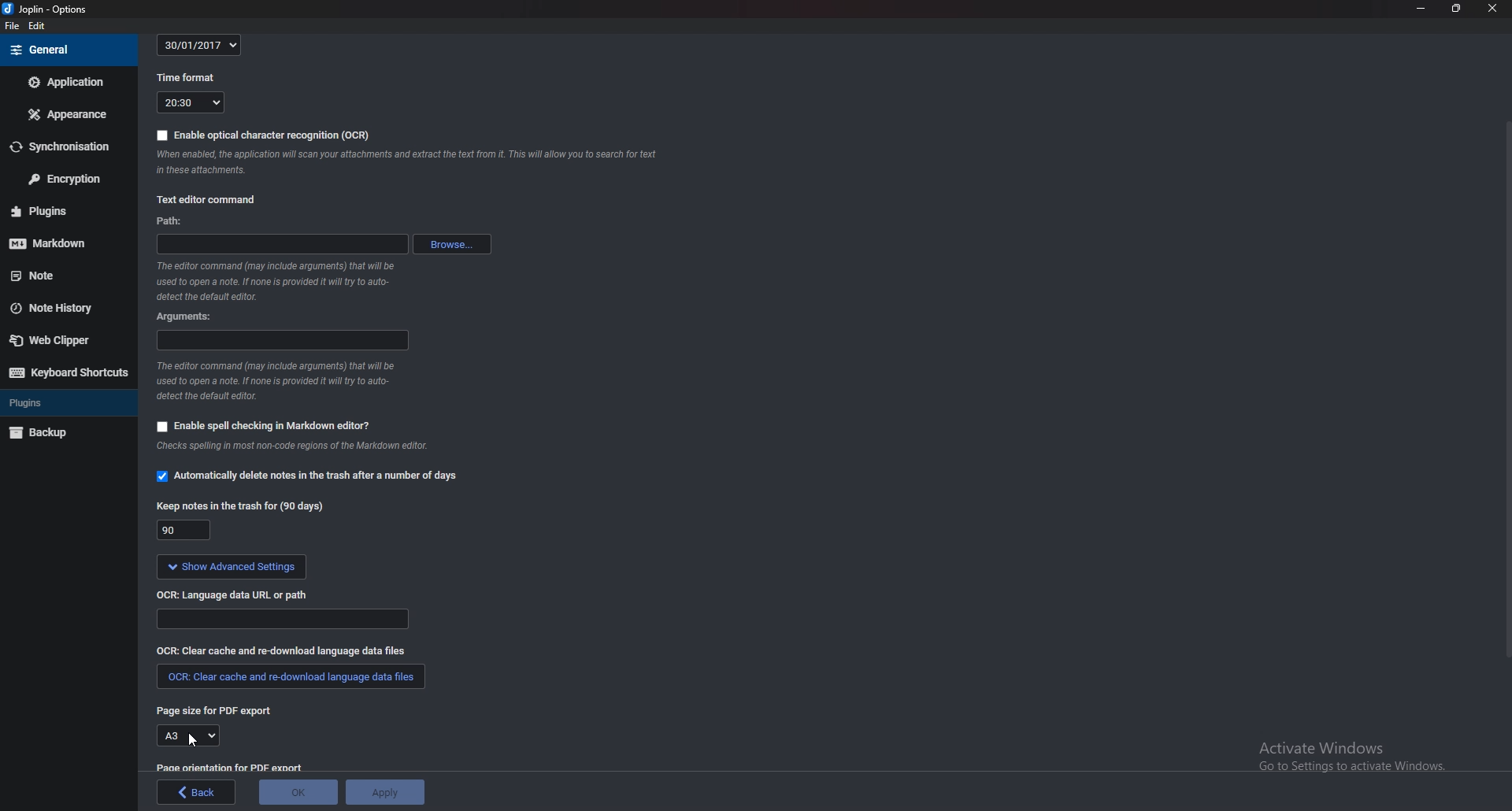 The width and height of the screenshot is (1512, 811). Describe the element at coordinates (284, 620) in the screenshot. I see `Language data` at that location.